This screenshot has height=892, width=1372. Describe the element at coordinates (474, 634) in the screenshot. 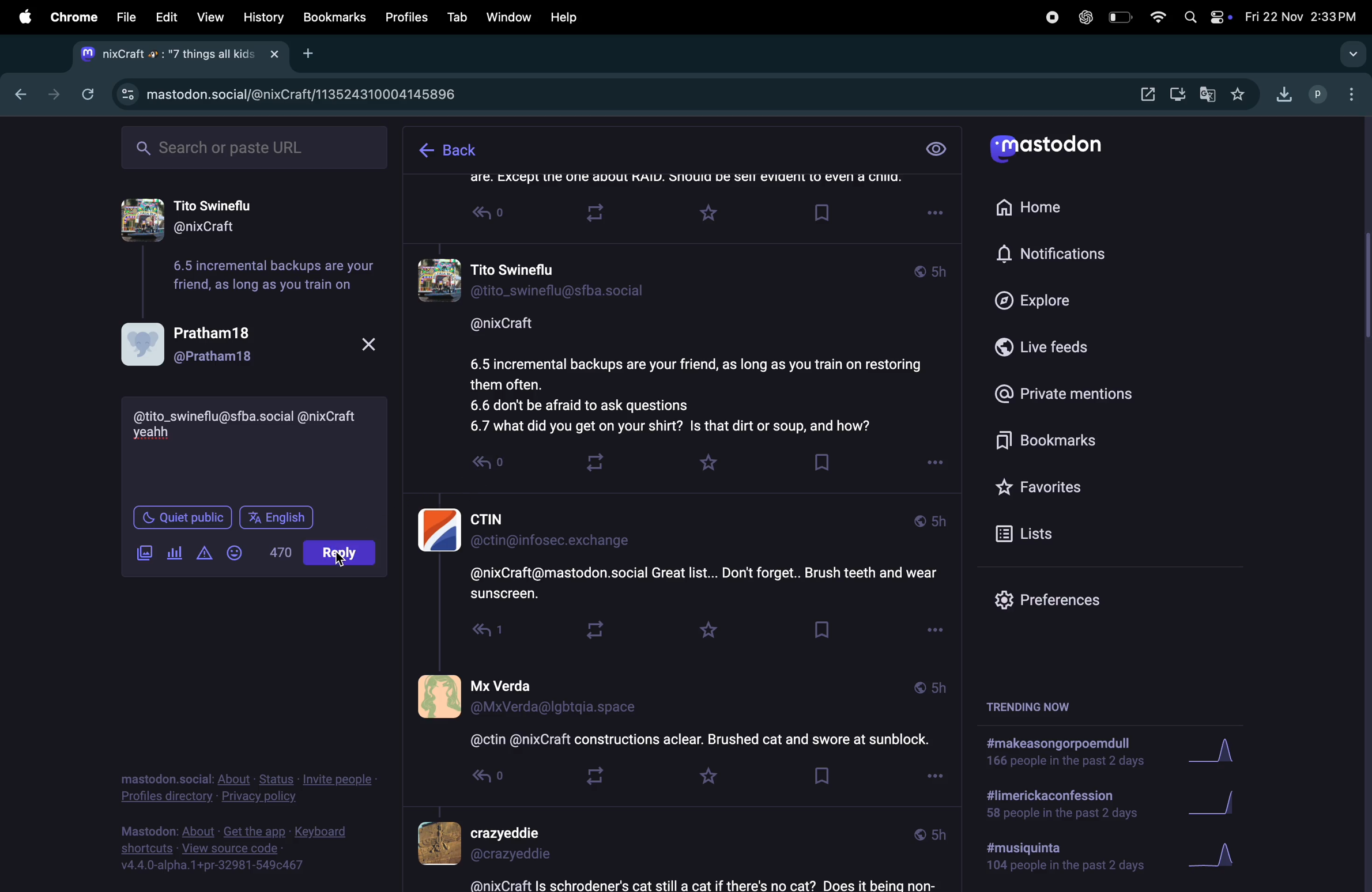

I see `Read` at that location.